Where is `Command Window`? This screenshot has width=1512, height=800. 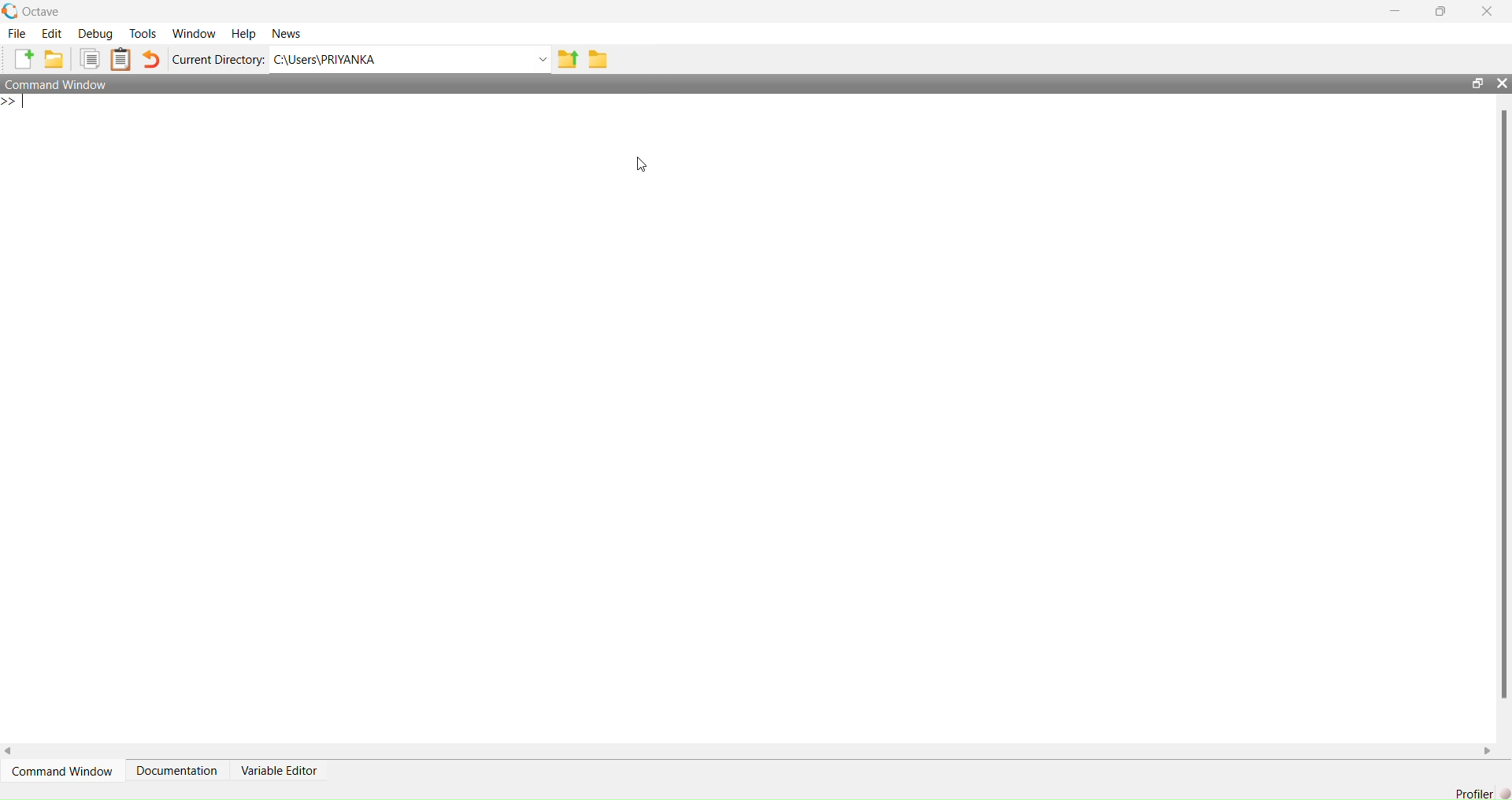 Command Window is located at coordinates (57, 83).